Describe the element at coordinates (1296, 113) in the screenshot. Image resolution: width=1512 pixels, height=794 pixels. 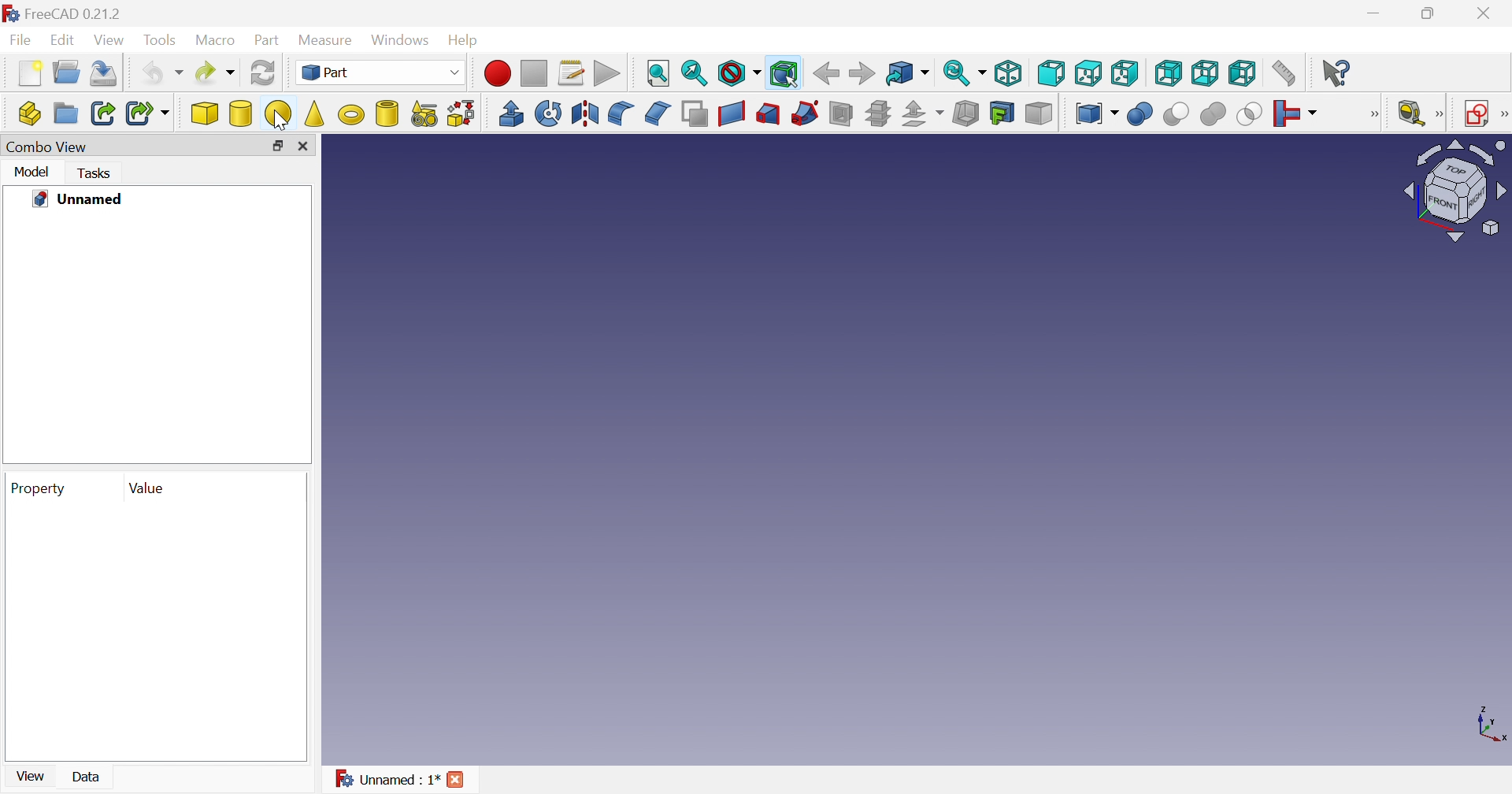
I see `Join objects...` at that location.